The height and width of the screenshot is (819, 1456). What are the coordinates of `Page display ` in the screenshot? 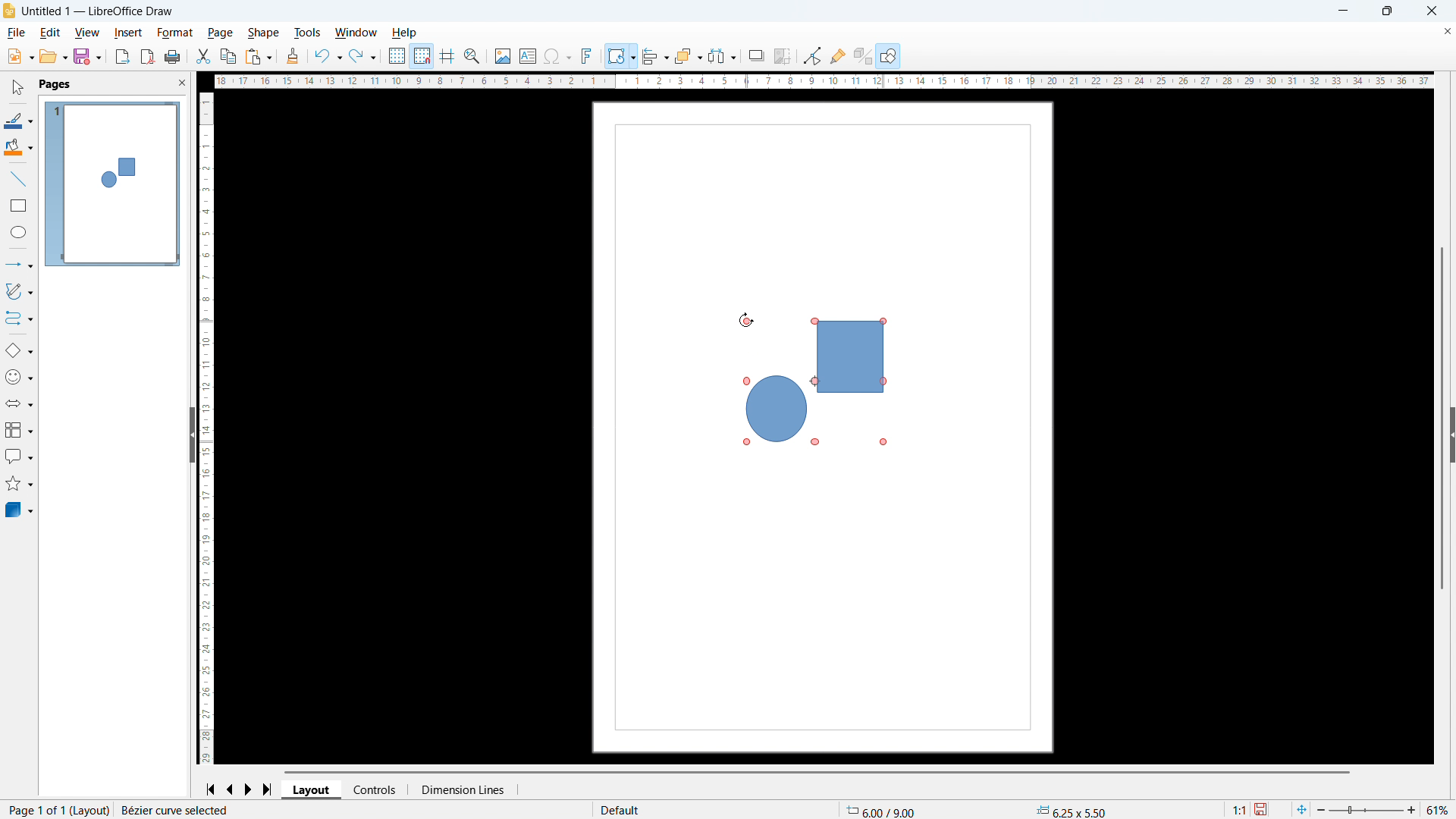 It's located at (113, 184).